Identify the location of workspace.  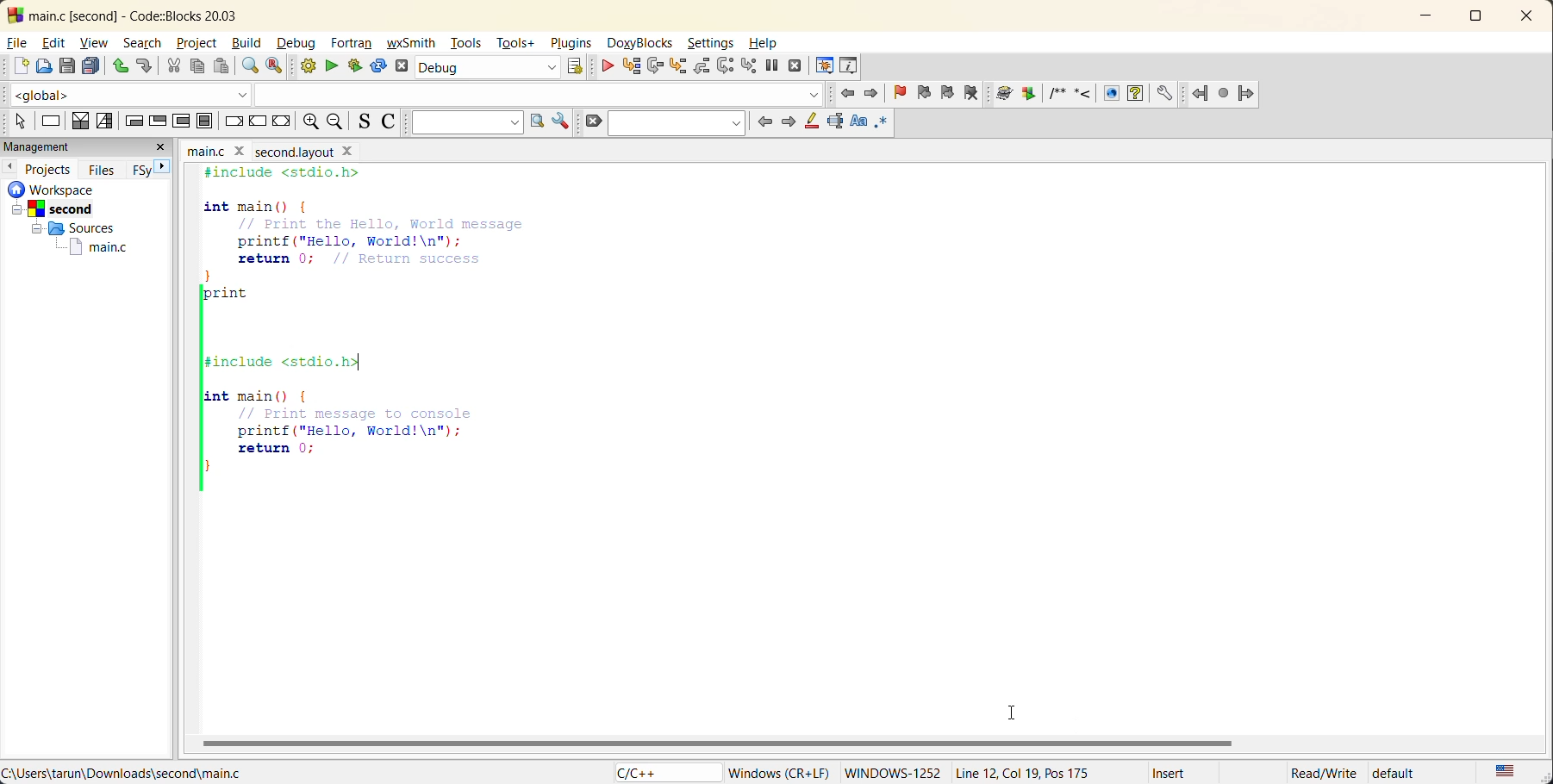
(47, 190).